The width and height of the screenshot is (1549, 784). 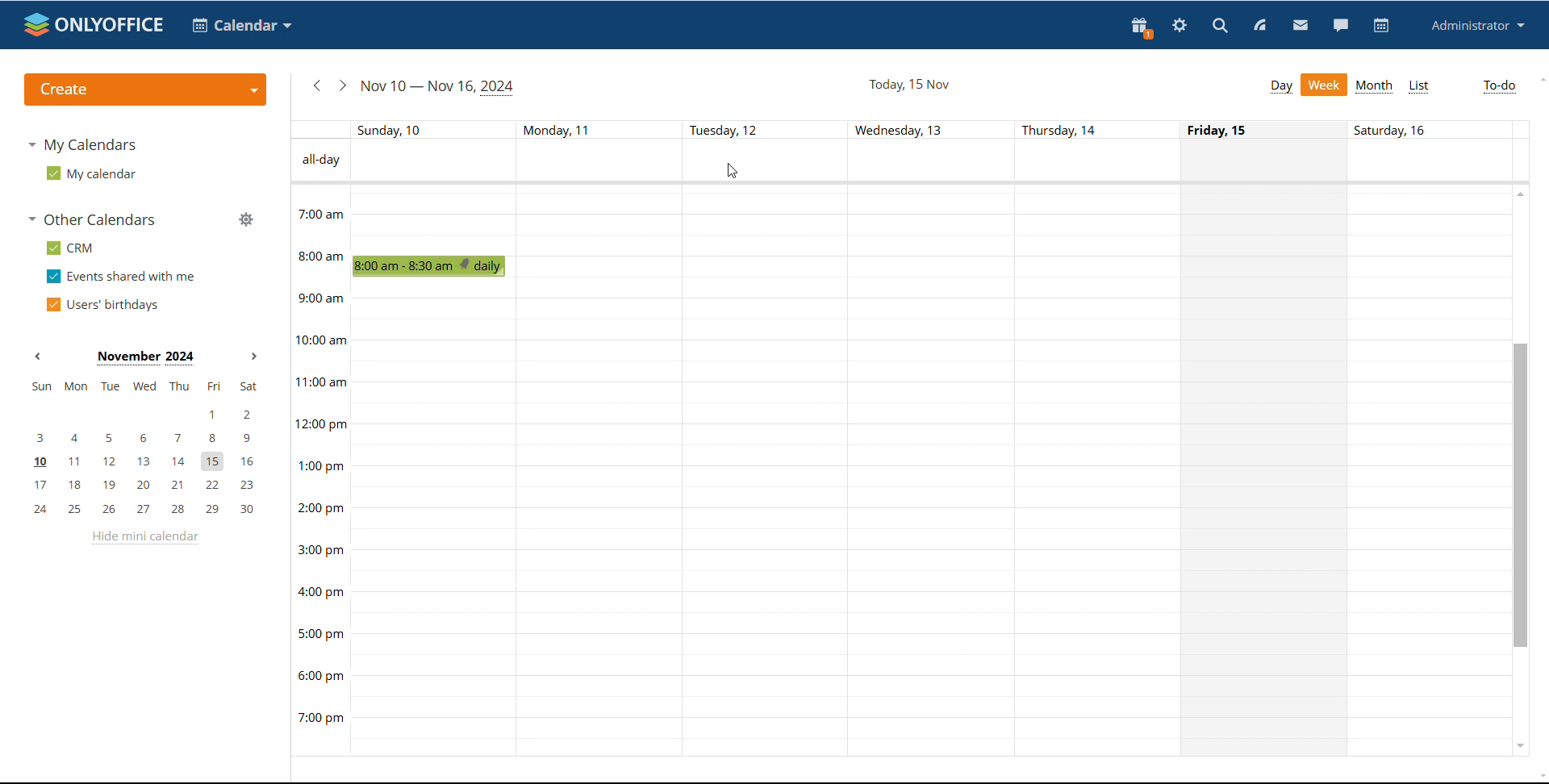 What do you see at coordinates (1539, 777) in the screenshot?
I see `scroll down` at bounding box center [1539, 777].